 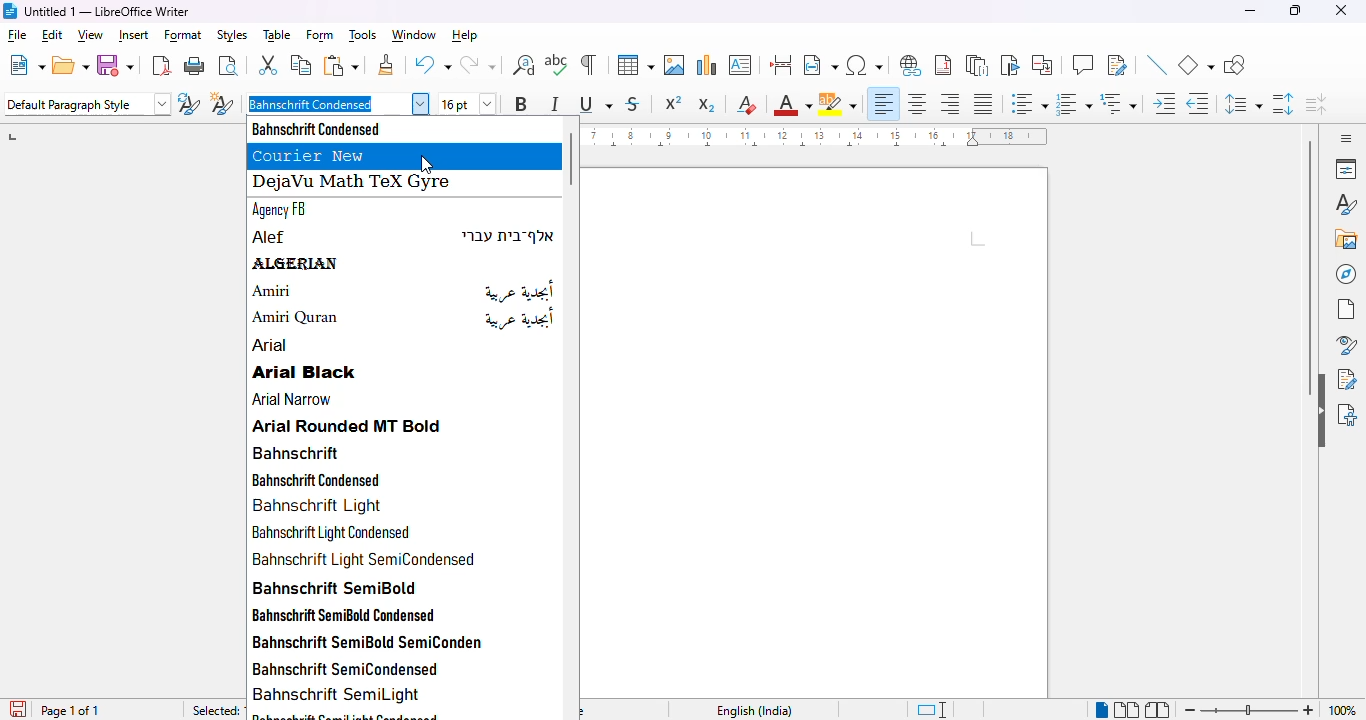 I want to click on styles, so click(x=1344, y=205).